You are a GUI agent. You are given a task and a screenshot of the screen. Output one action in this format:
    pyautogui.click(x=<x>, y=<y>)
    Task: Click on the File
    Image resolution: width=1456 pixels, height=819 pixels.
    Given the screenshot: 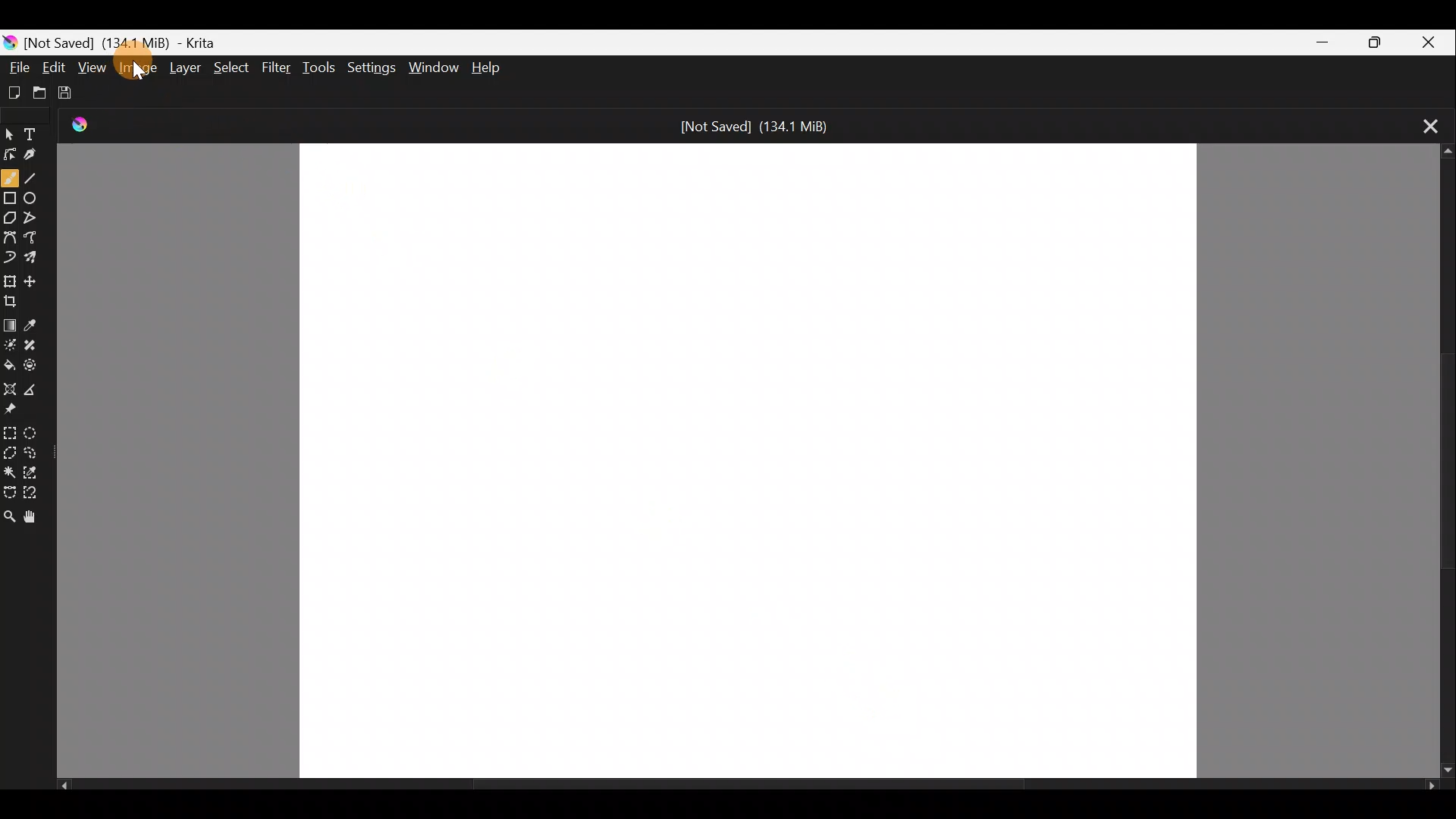 What is the action you would take?
    pyautogui.click(x=15, y=65)
    